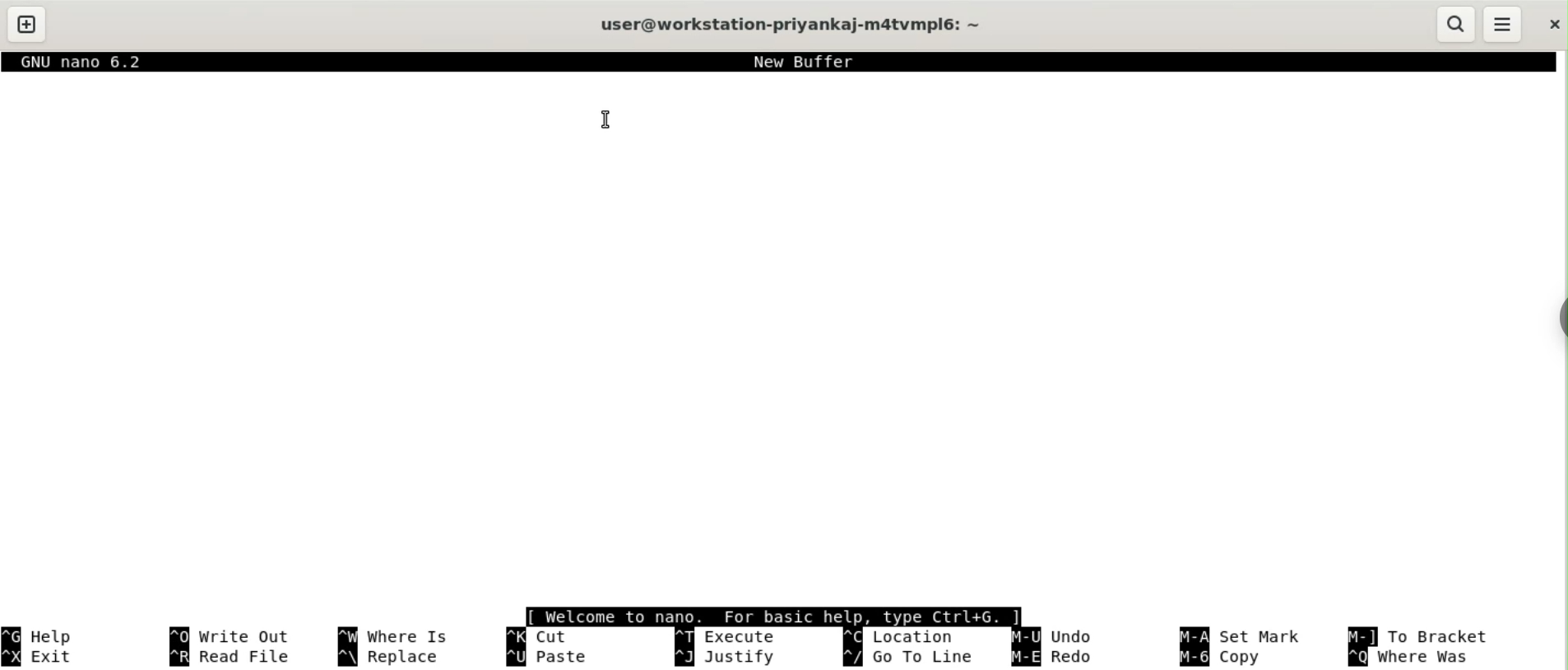  Describe the element at coordinates (233, 658) in the screenshot. I see `read file` at that location.